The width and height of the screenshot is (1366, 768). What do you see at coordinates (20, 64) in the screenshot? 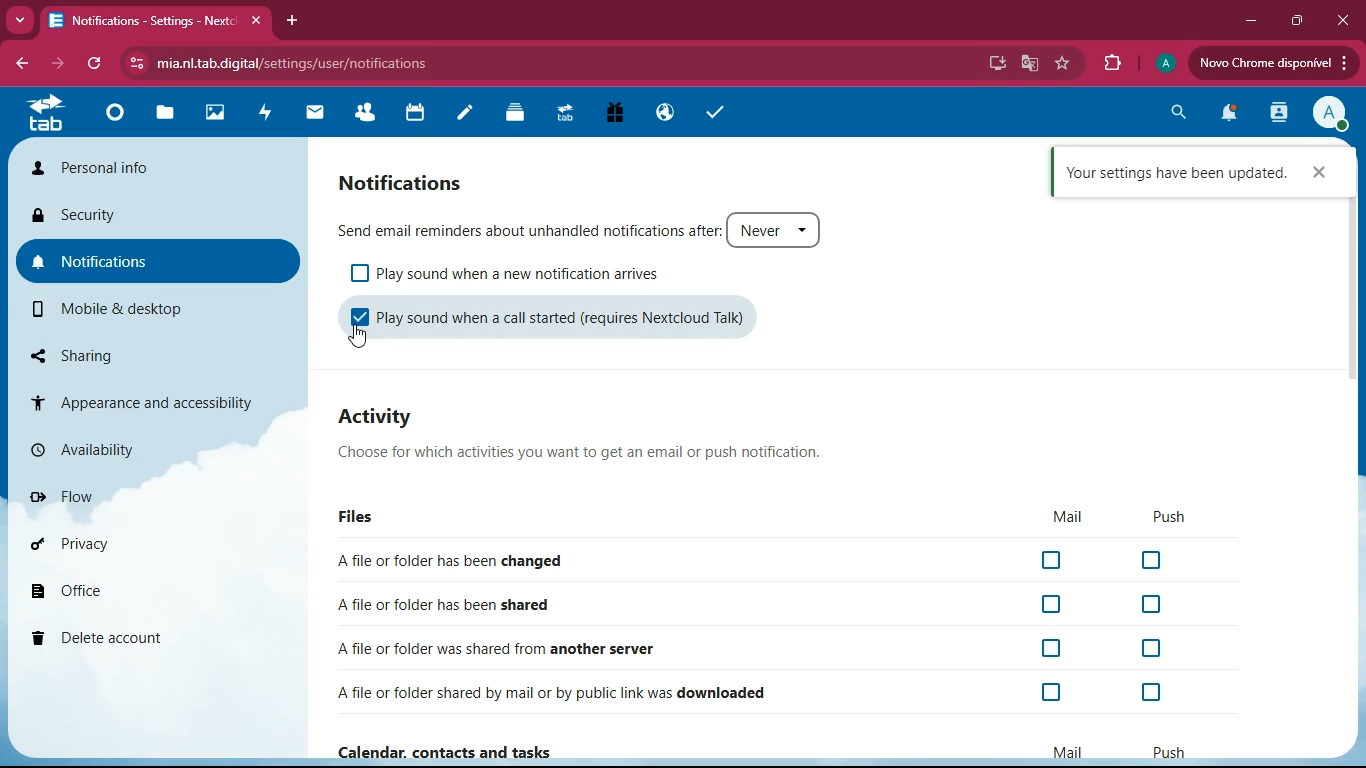
I see `back` at bounding box center [20, 64].